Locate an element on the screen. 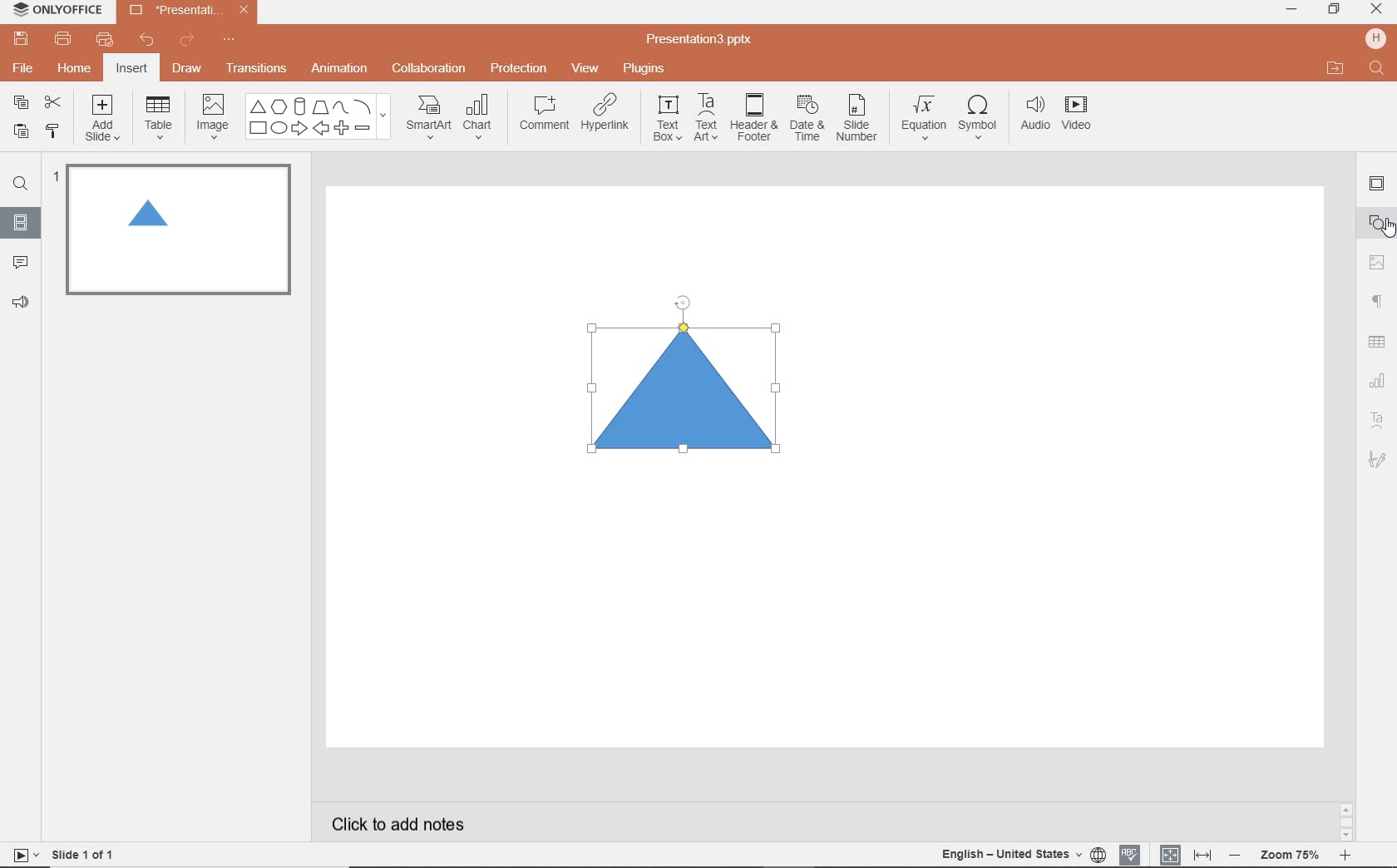 The width and height of the screenshot is (1397, 868). HOME is located at coordinates (76, 70).